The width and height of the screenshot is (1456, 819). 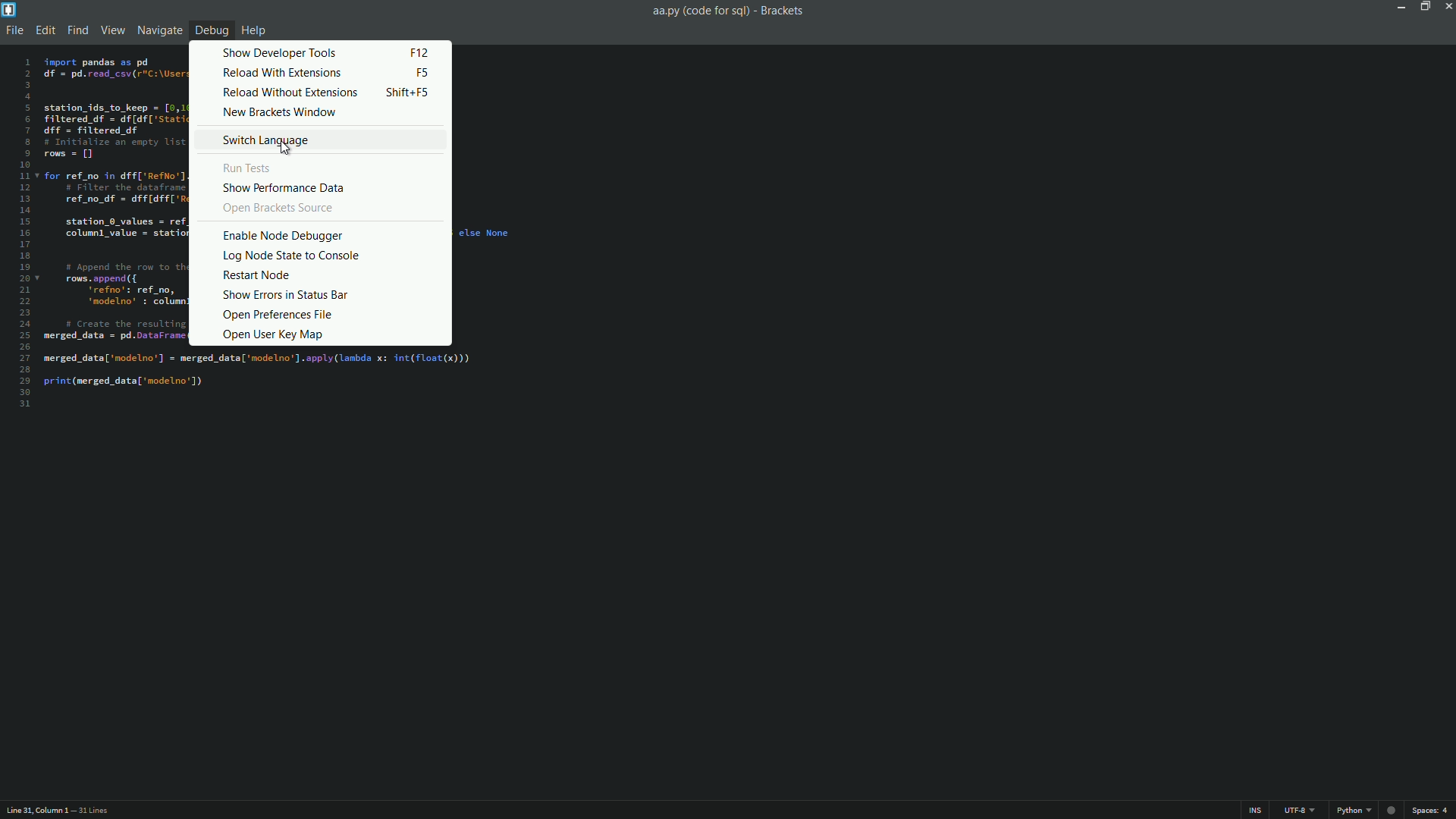 What do you see at coordinates (698, 11) in the screenshot?
I see `file name` at bounding box center [698, 11].